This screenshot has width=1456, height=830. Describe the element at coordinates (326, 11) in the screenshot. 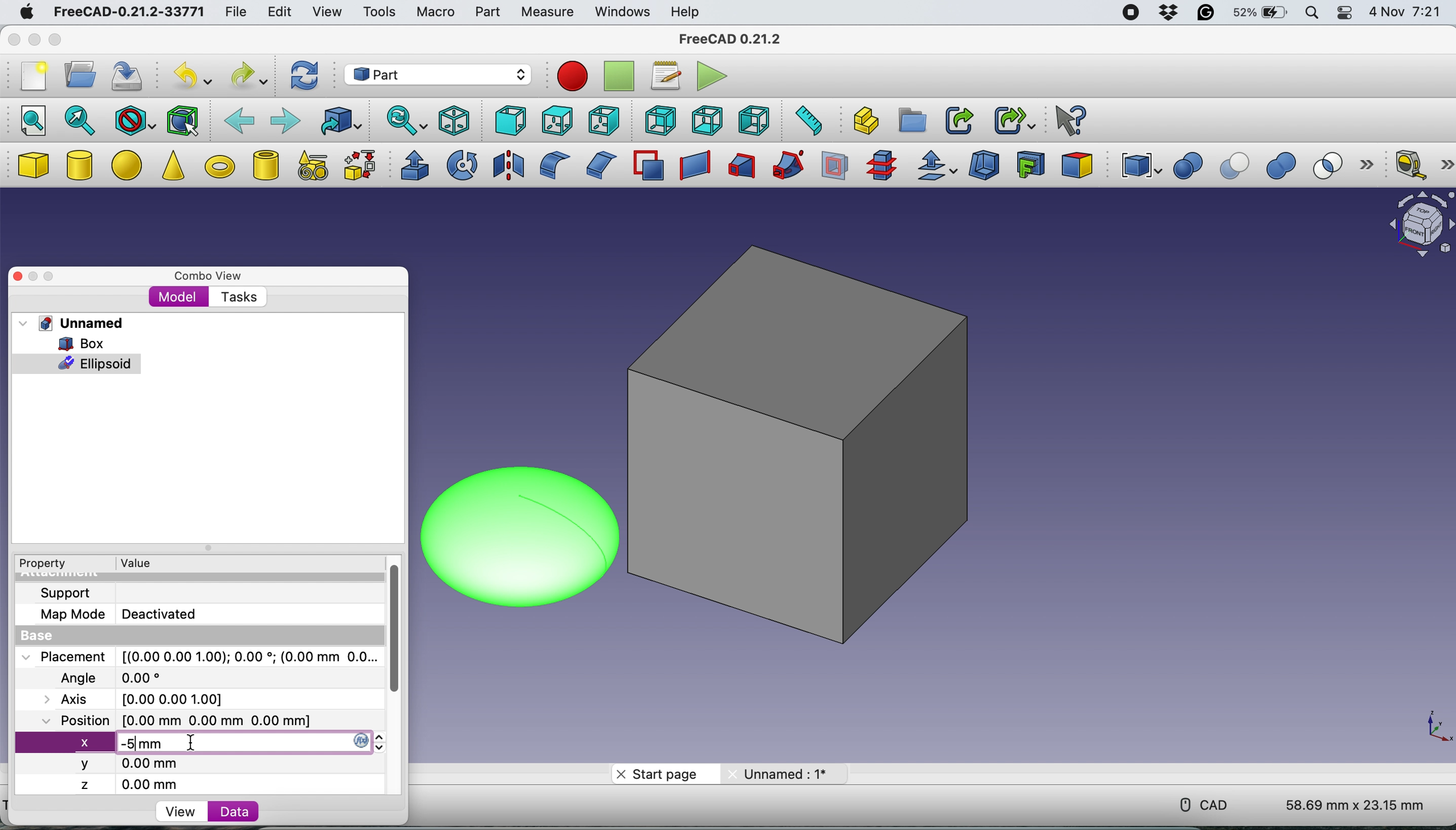

I see `view` at that location.